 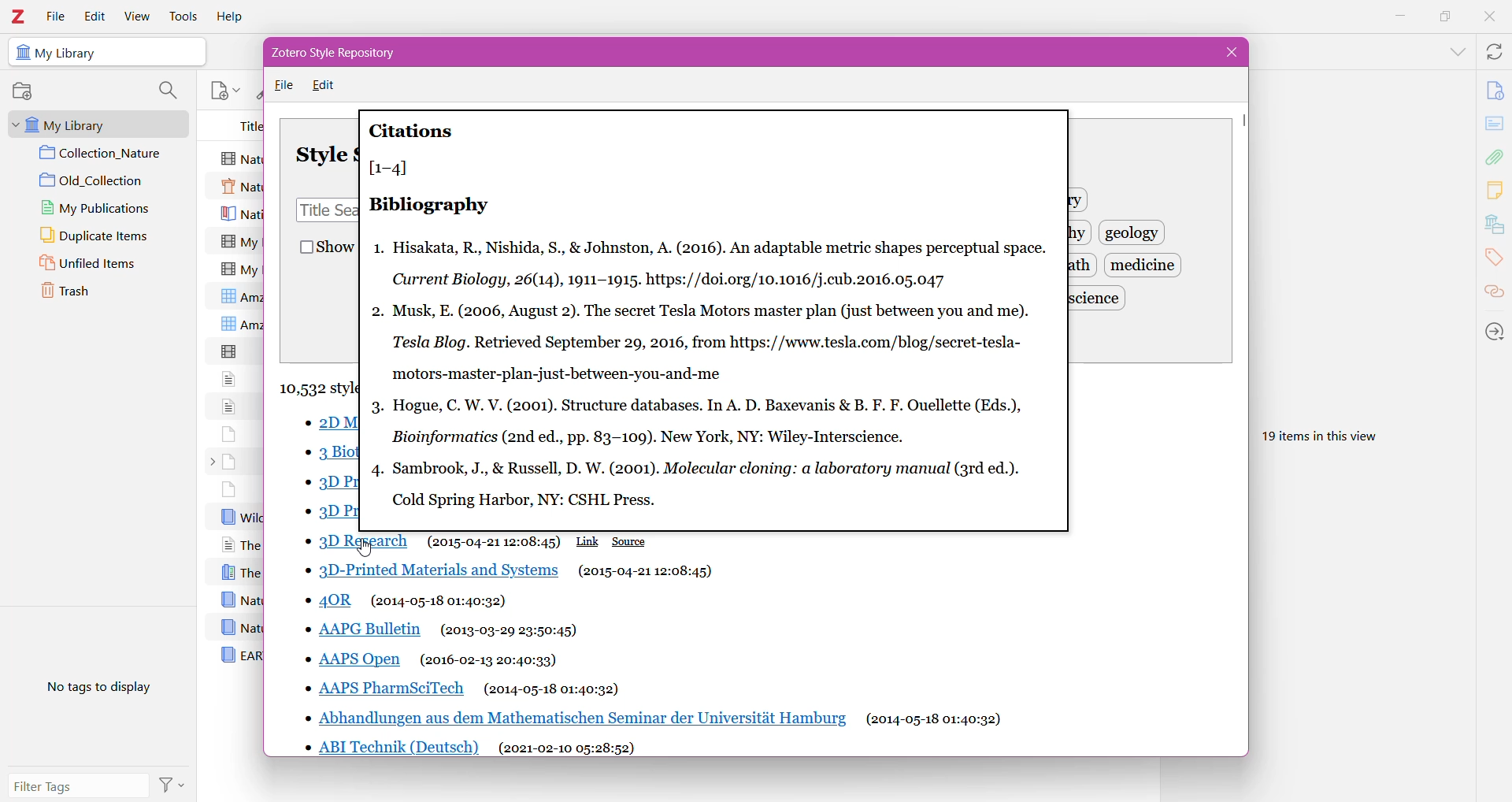 What do you see at coordinates (1443, 17) in the screenshot?
I see `Restore Down` at bounding box center [1443, 17].